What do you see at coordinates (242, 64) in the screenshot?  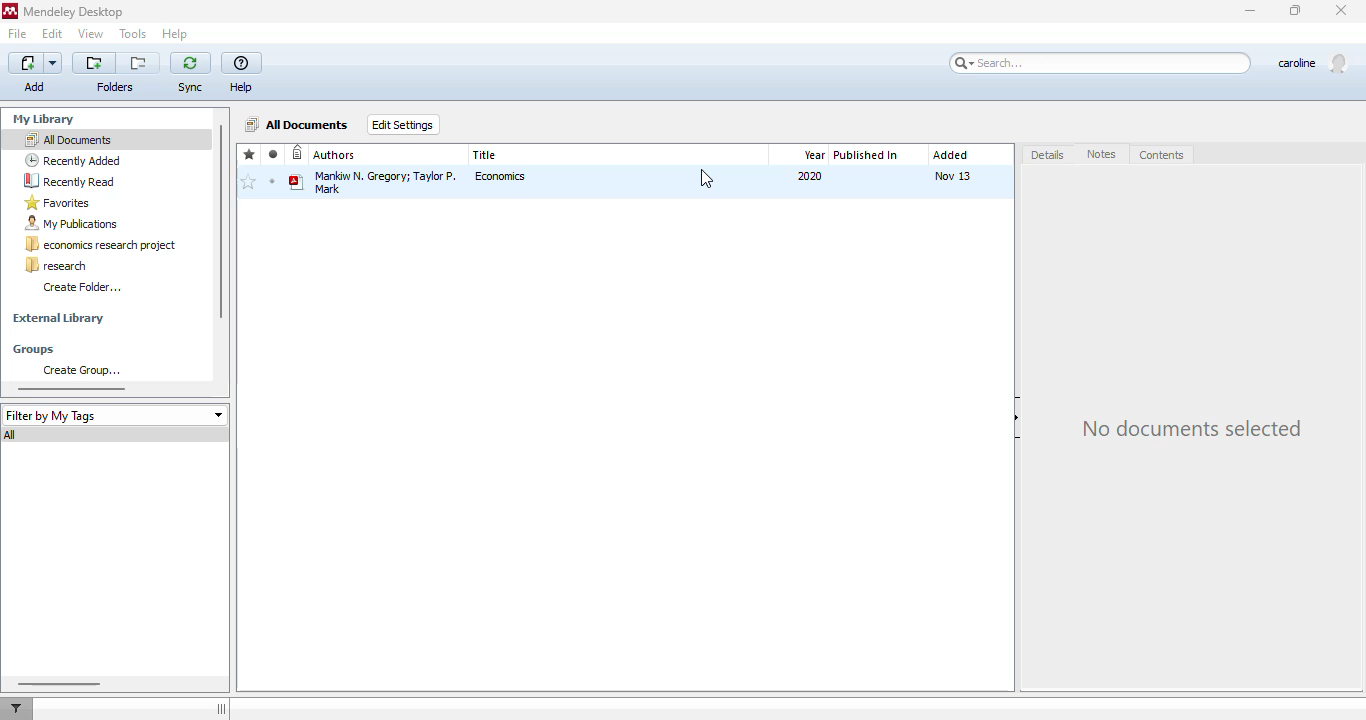 I see `help` at bounding box center [242, 64].